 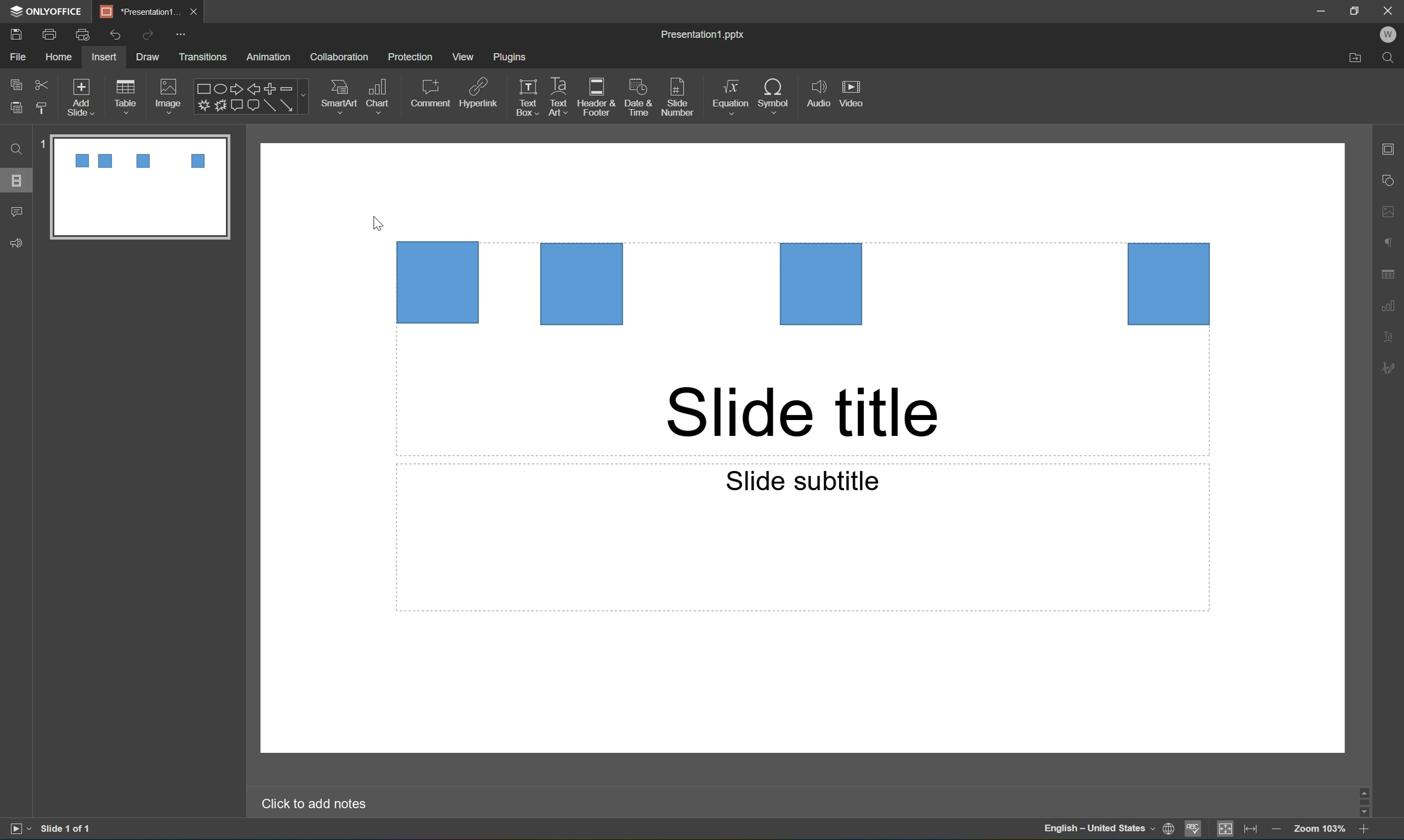 I want to click on *Presentation1..., so click(x=142, y=10).